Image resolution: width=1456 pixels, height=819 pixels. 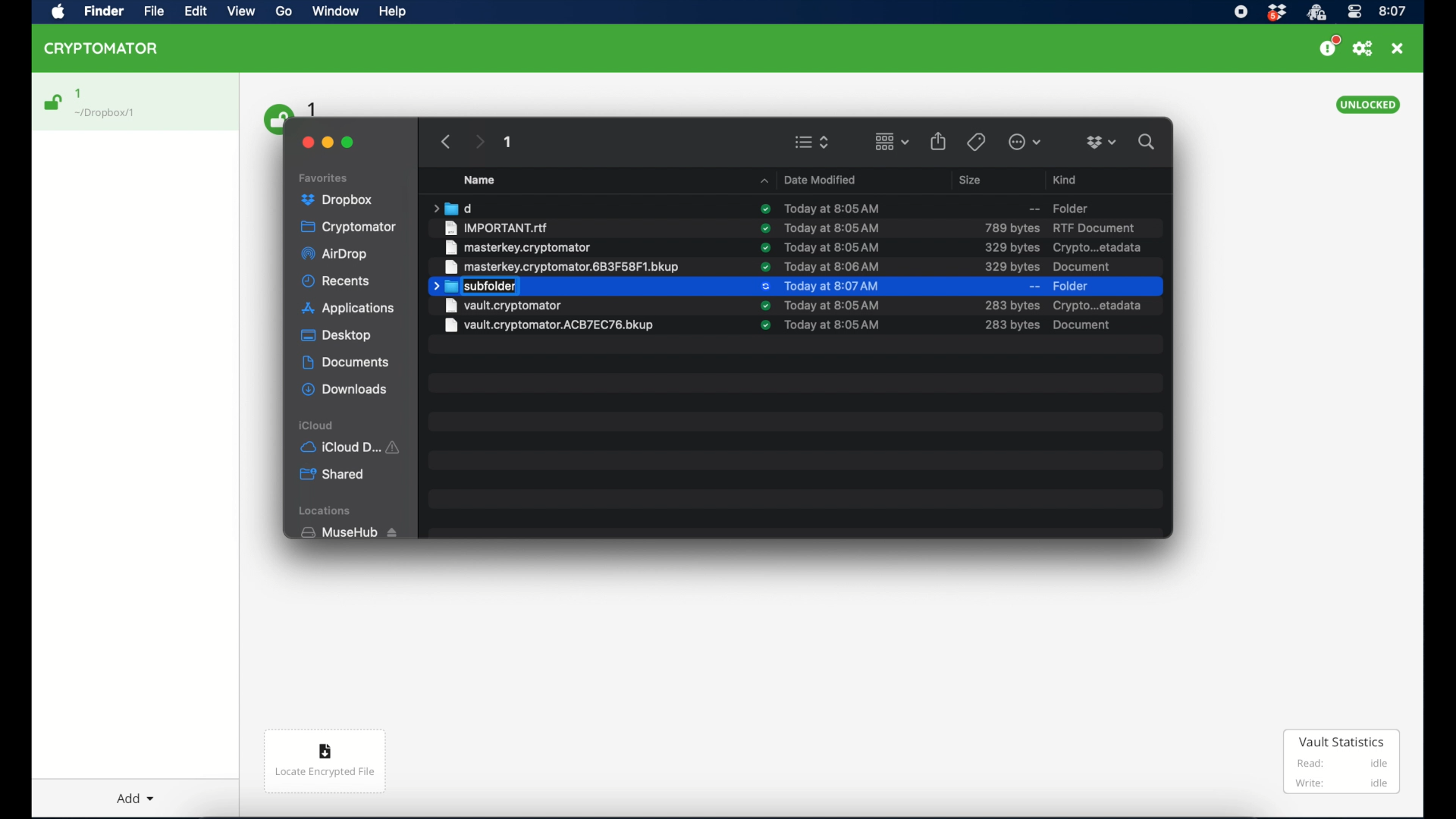 What do you see at coordinates (1329, 46) in the screenshot?
I see `support us` at bounding box center [1329, 46].